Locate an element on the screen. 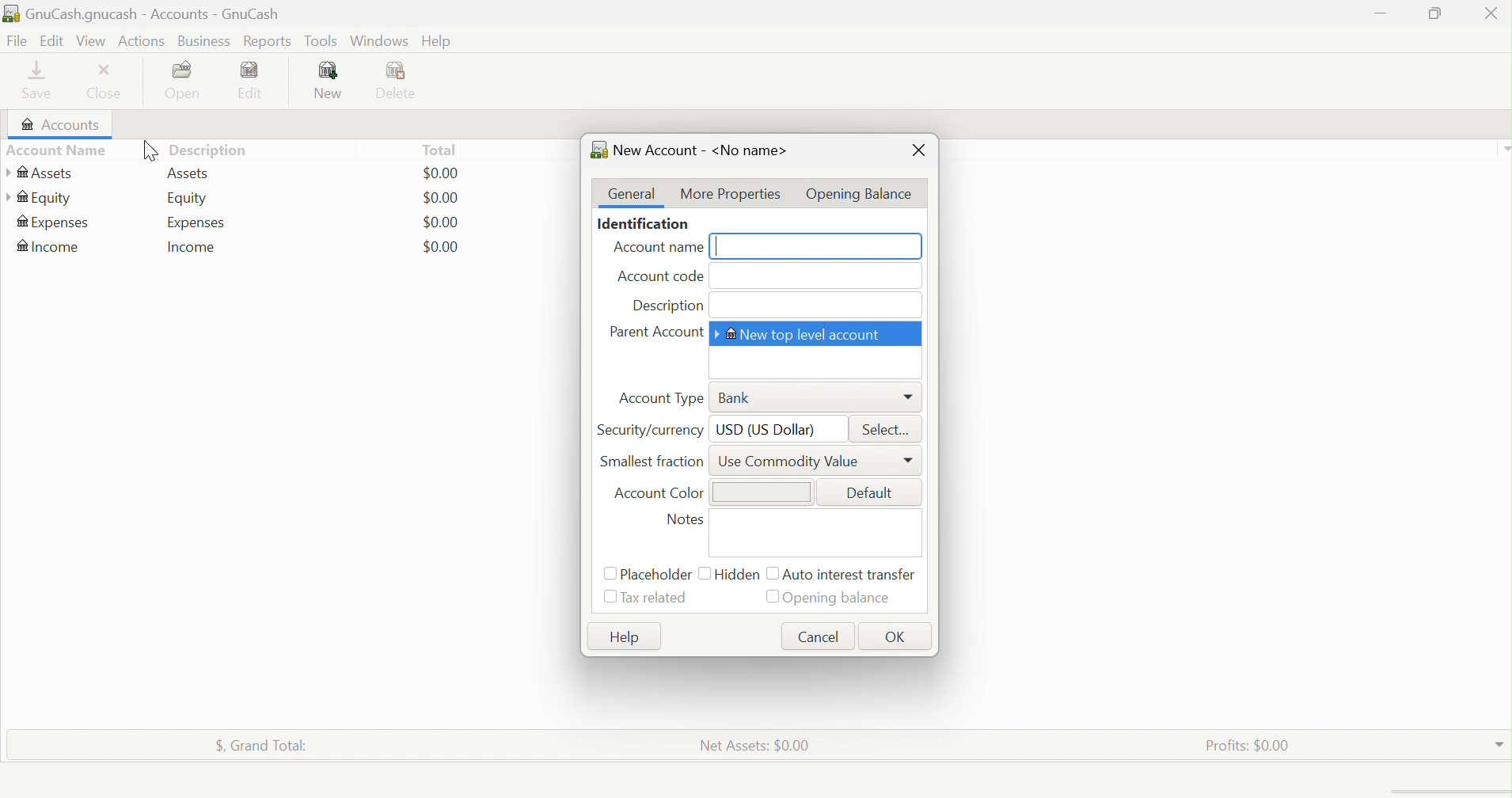 The width and height of the screenshot is (1512, 798). Security/currency is located at coordinates (652, 429).